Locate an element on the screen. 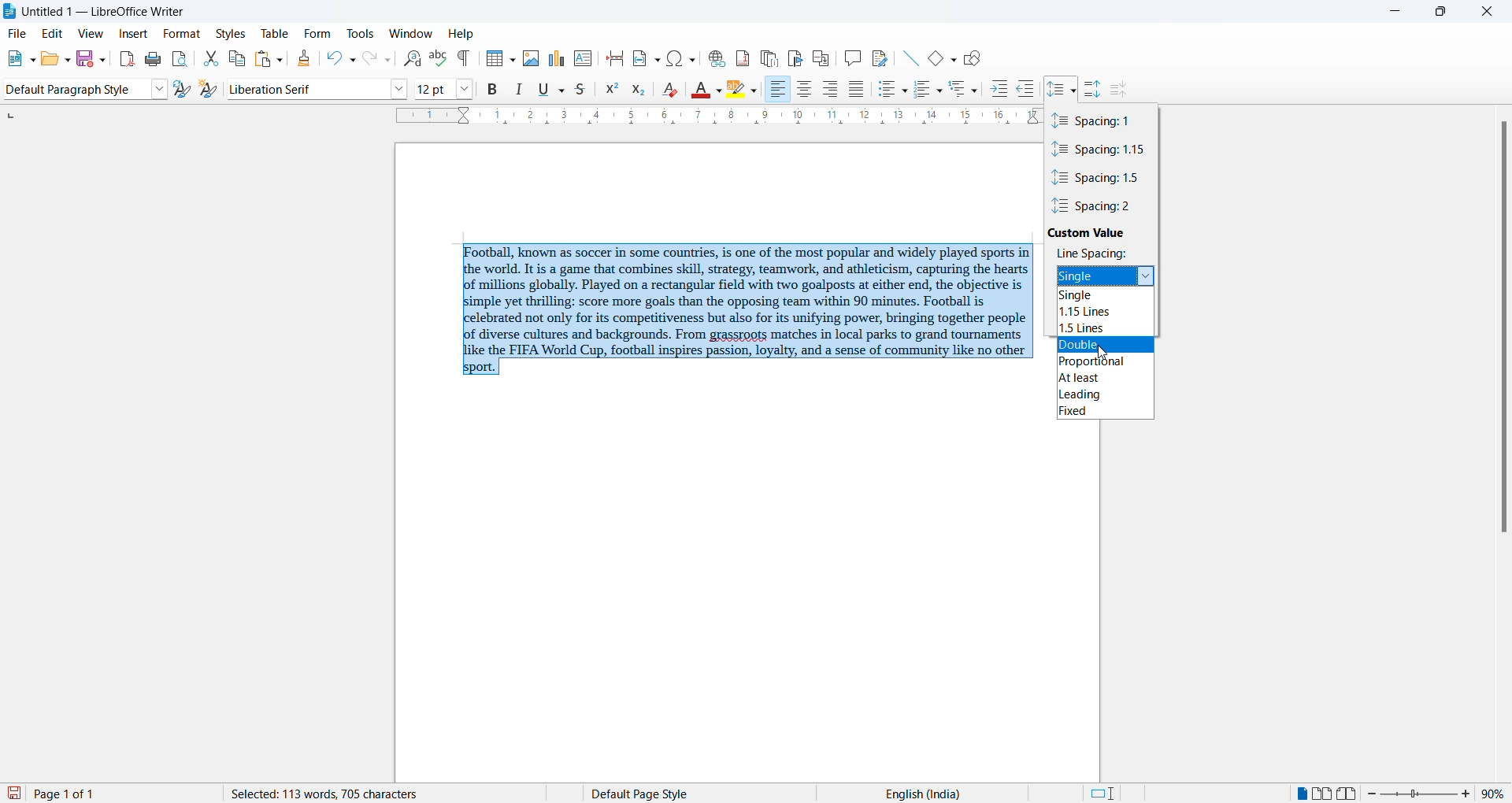  find and replace is located at coordinates (413, 58).